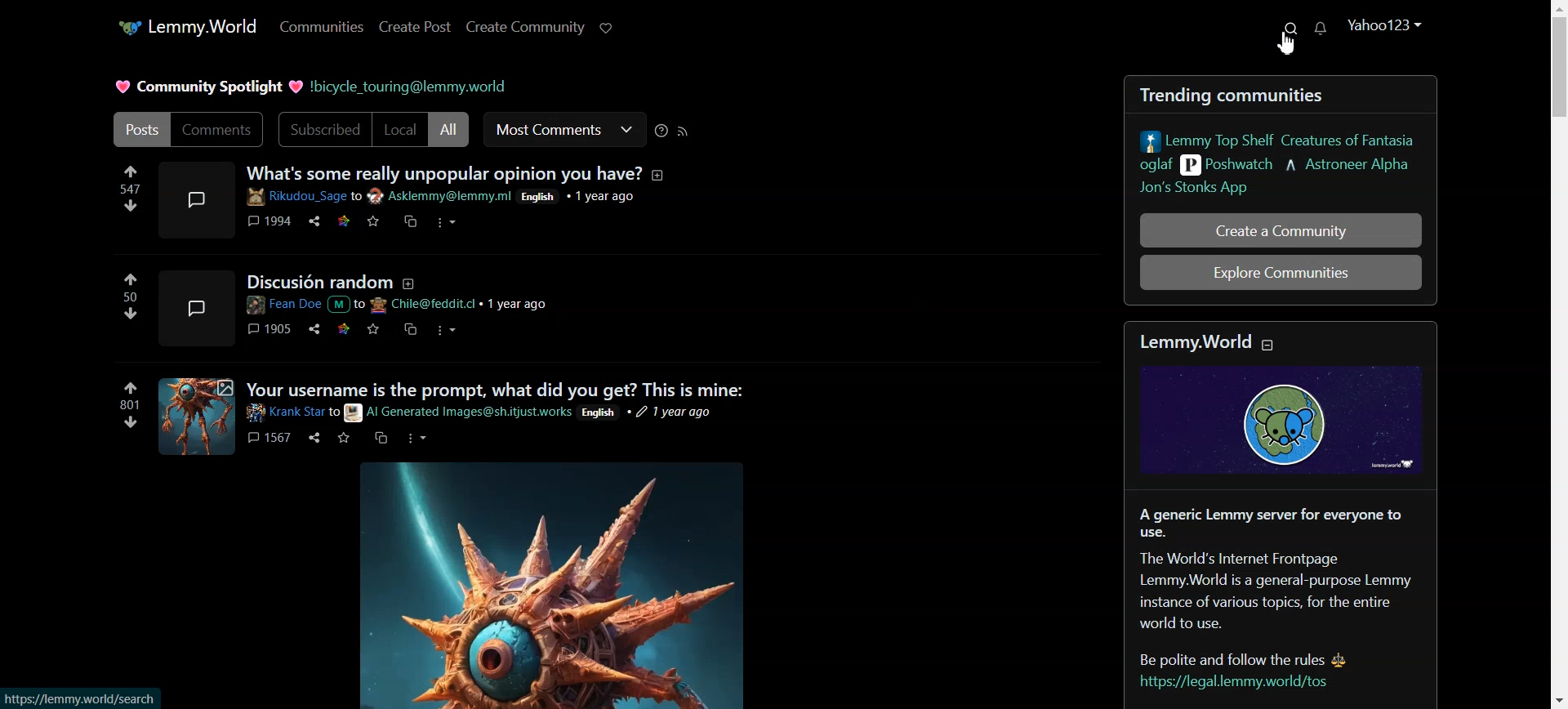 This screenshot has width=1568, height=709. I want to click on 1994, so click(271, 221).